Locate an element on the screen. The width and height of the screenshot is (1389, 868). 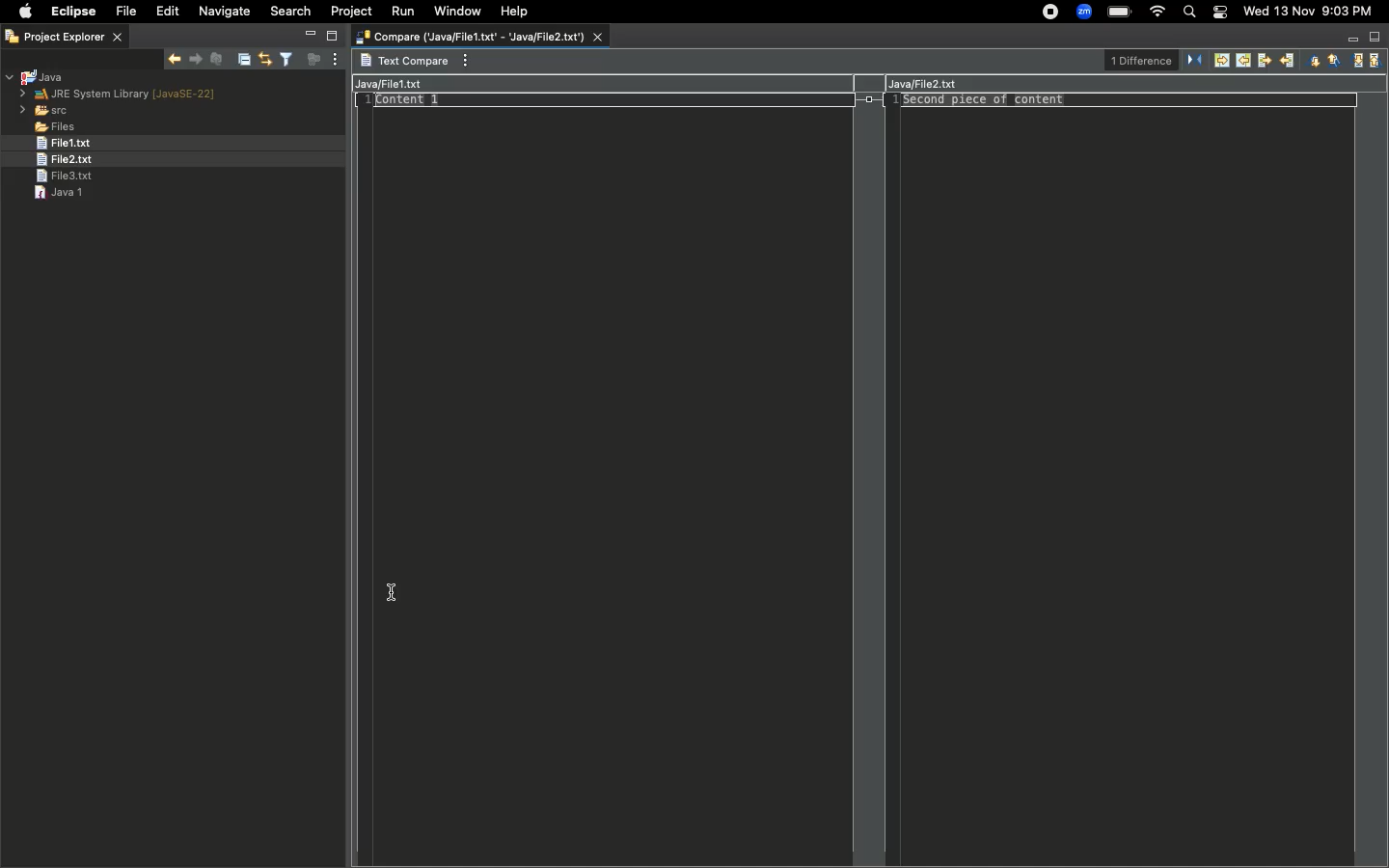
Collapse all is located at coordinates (241, 61).